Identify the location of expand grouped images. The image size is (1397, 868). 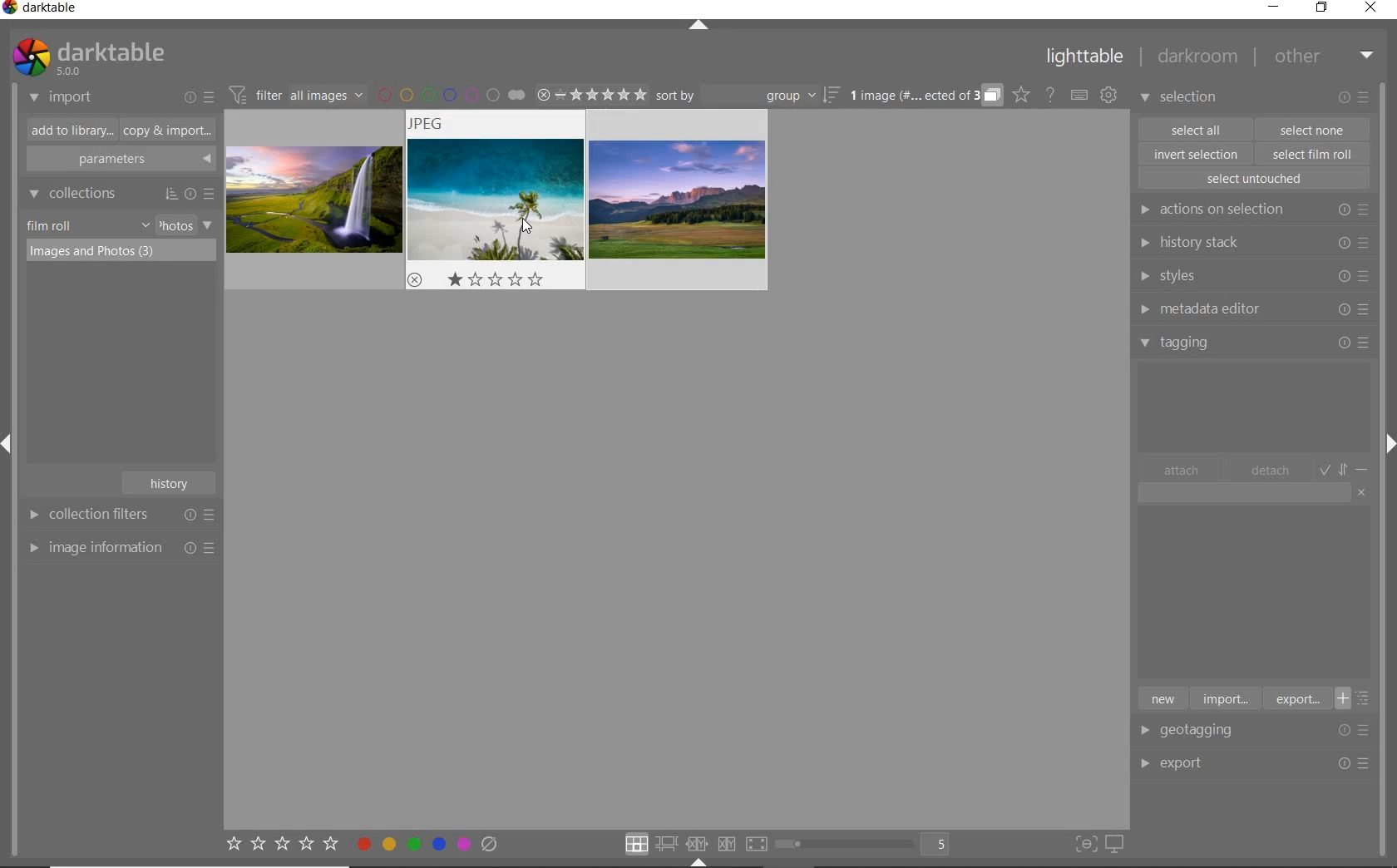
(926, 96).